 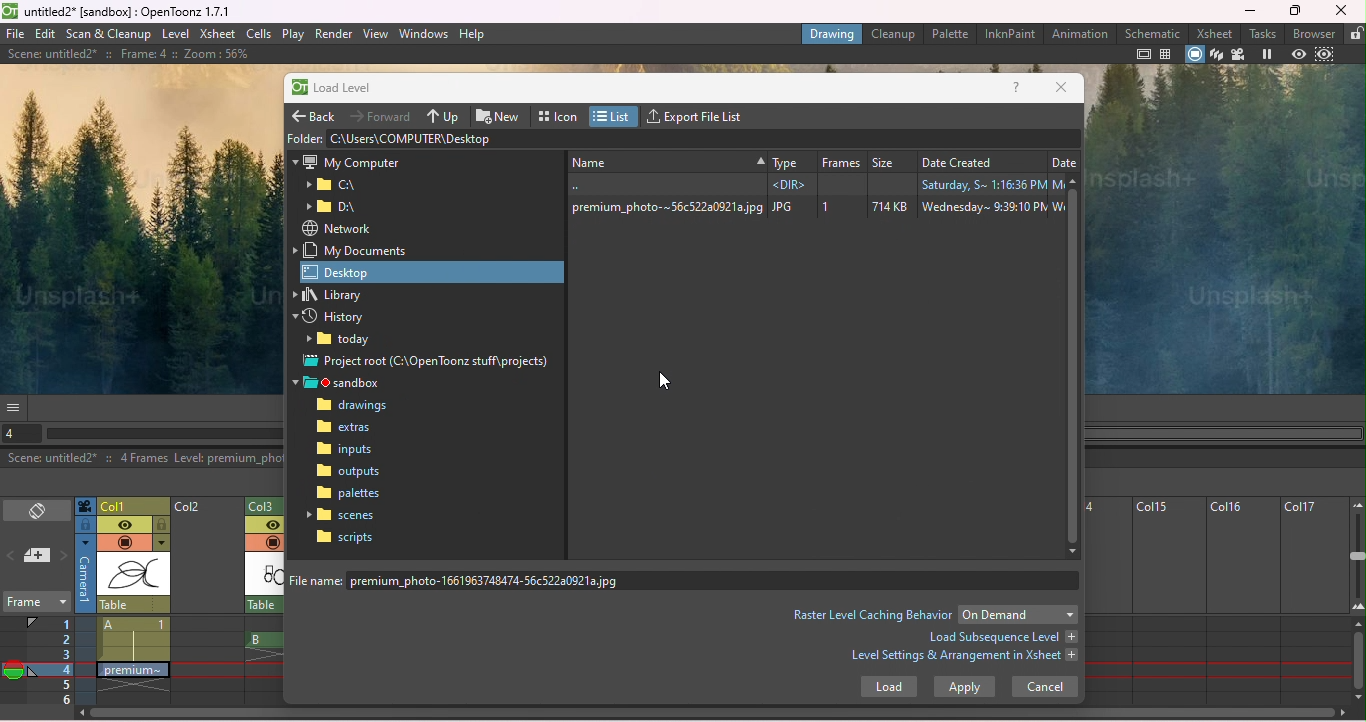 What do you see at coordinates (337, 318) in the screenshot?
I see `History` at bounding box center [337, 318].